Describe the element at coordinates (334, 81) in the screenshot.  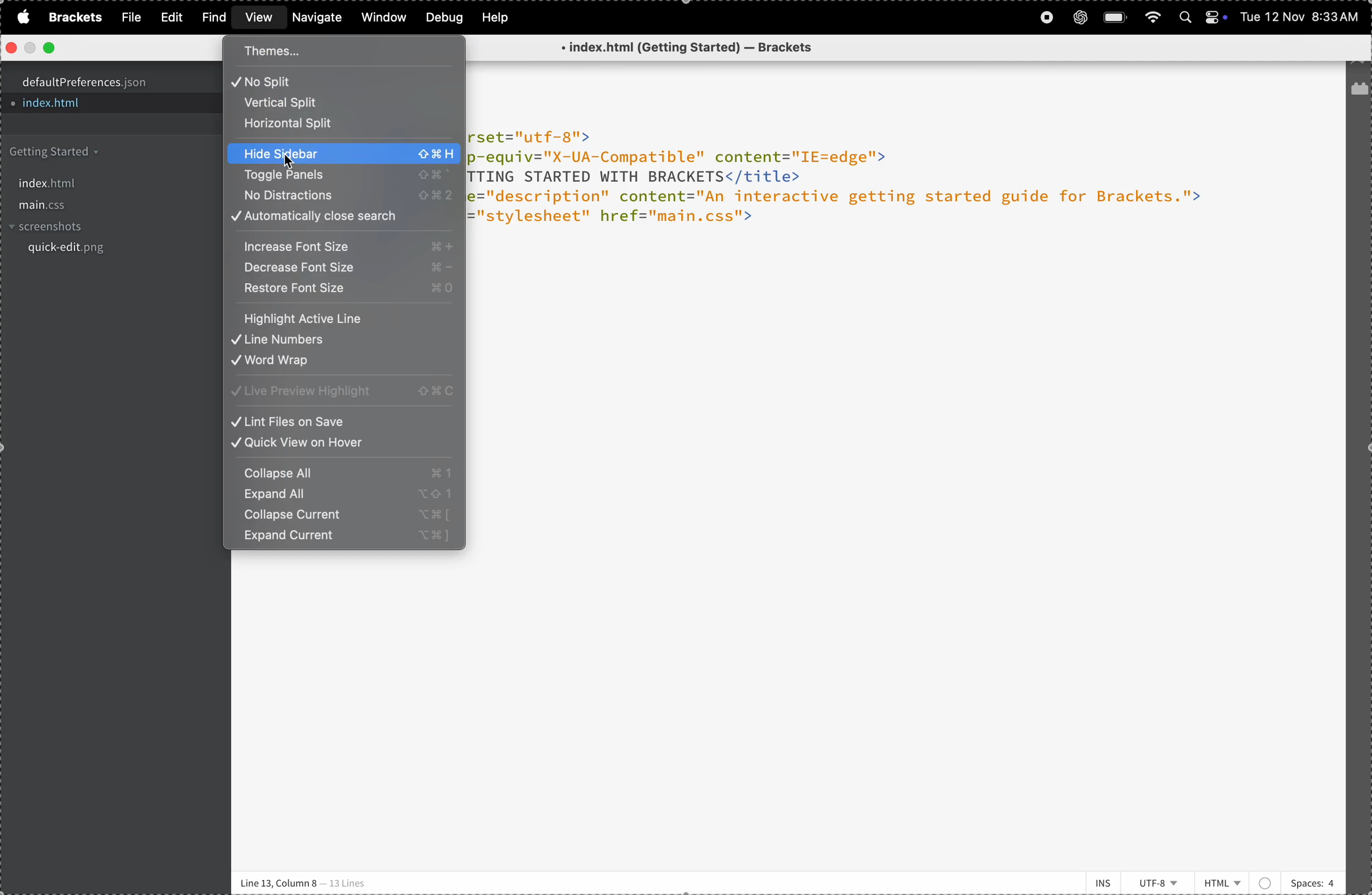
I see `no split` at that location.